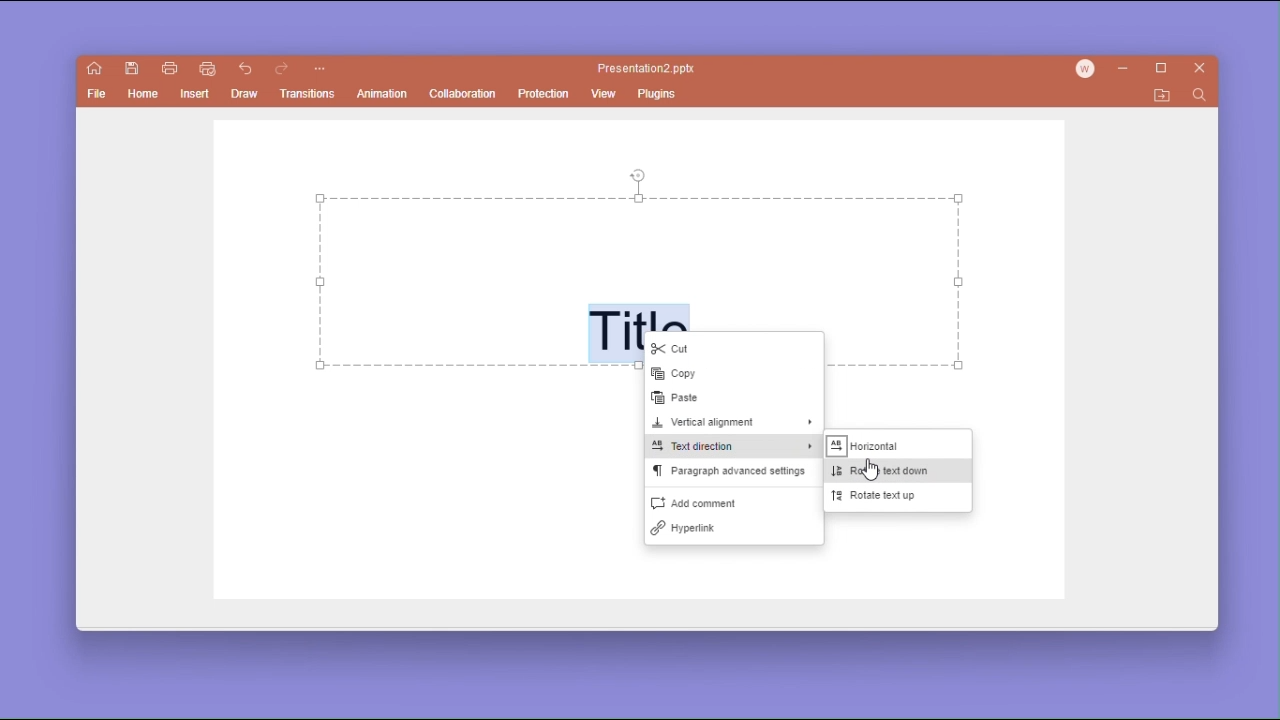  What do you see at coordinates (133, 69) in the screenshot?
I see `save` at bounding box center [133, 69].